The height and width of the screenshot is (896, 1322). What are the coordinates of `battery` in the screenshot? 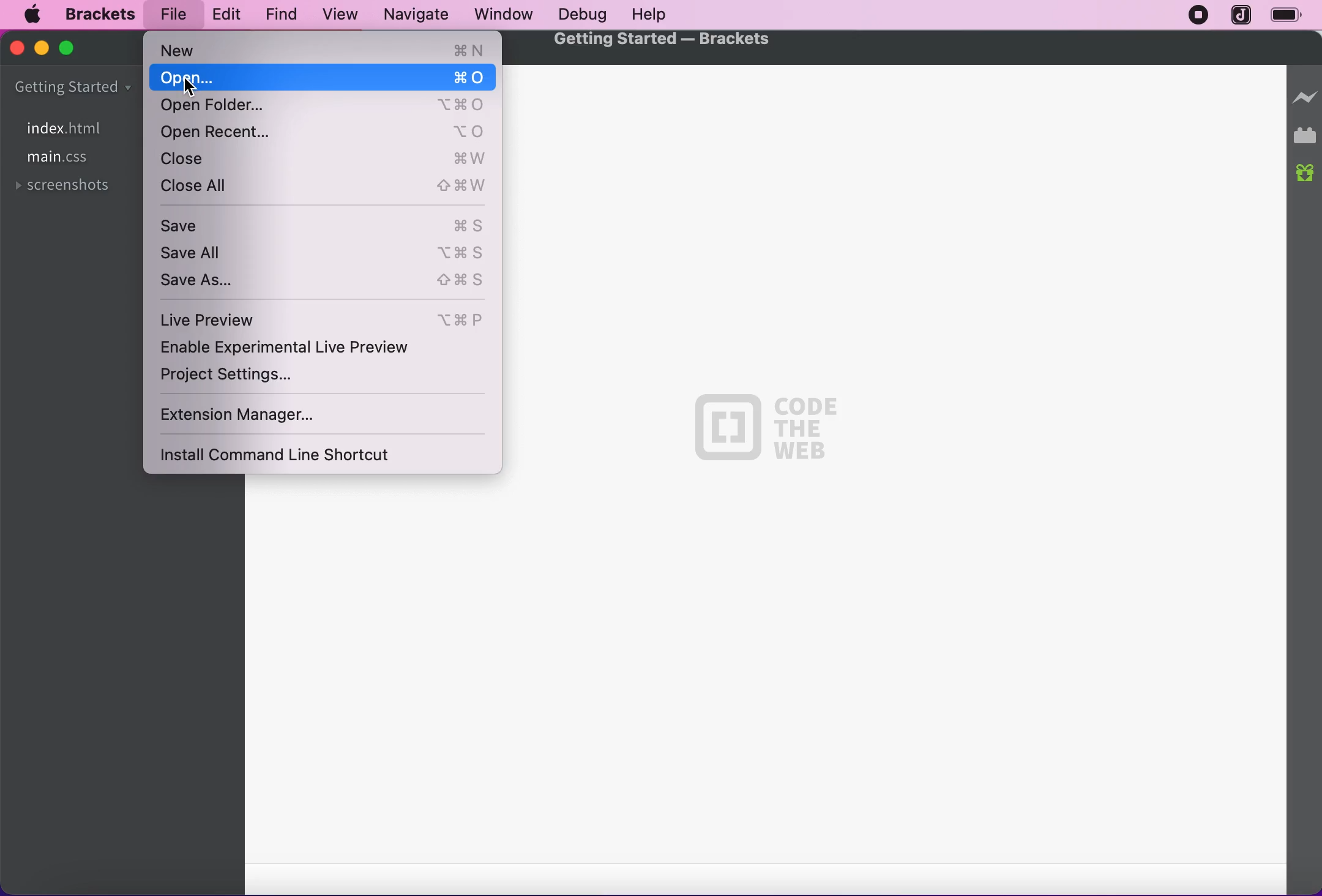 It's located at (1292, 17).